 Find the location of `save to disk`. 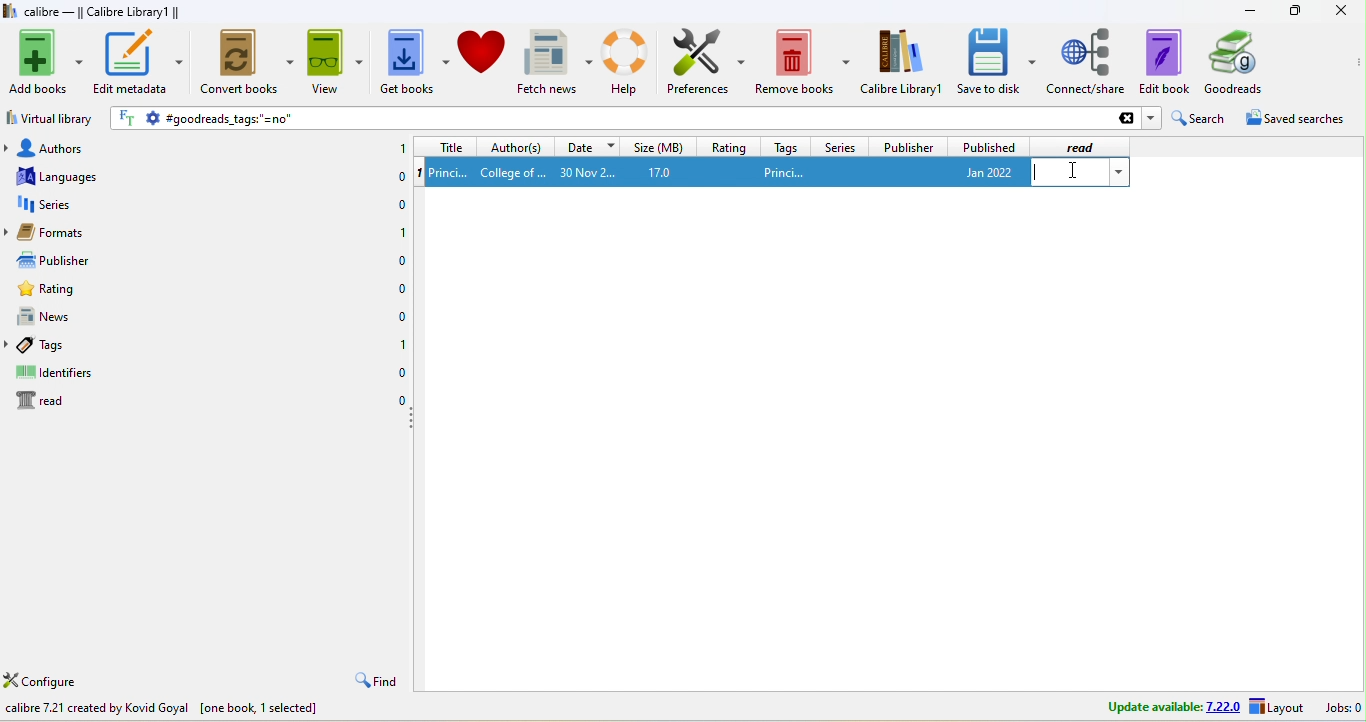

save to disk is located at coordinates (996, 62).